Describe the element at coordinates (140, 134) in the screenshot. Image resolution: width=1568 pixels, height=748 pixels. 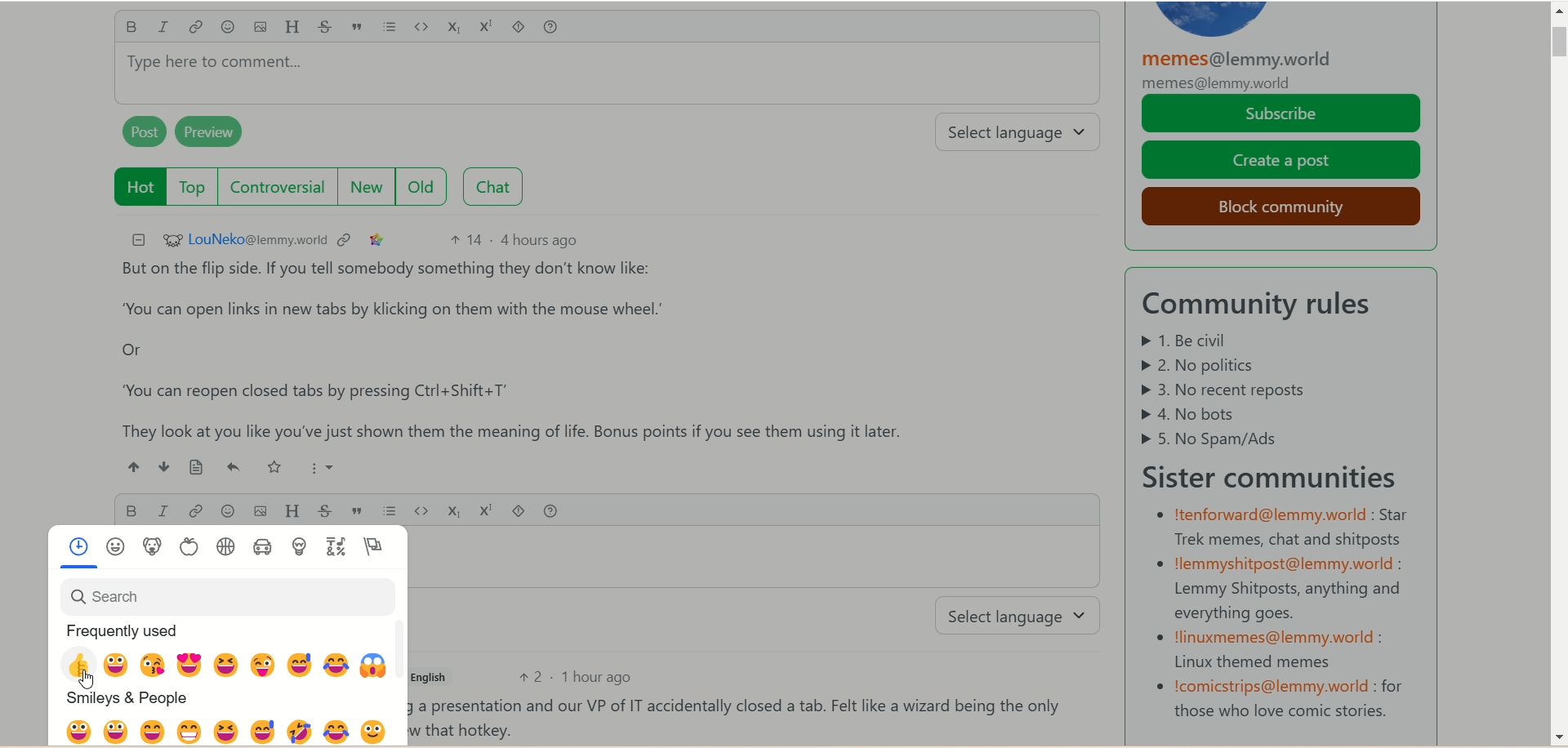
I see `post` at that location.